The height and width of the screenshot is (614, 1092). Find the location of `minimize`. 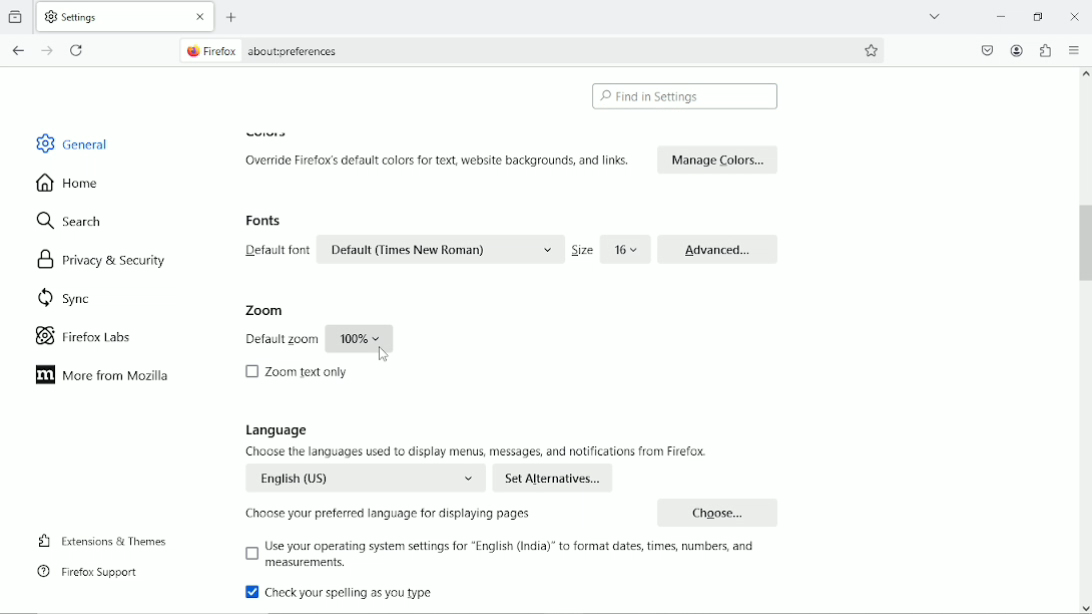

minimize is located at coordinates (998, 15).